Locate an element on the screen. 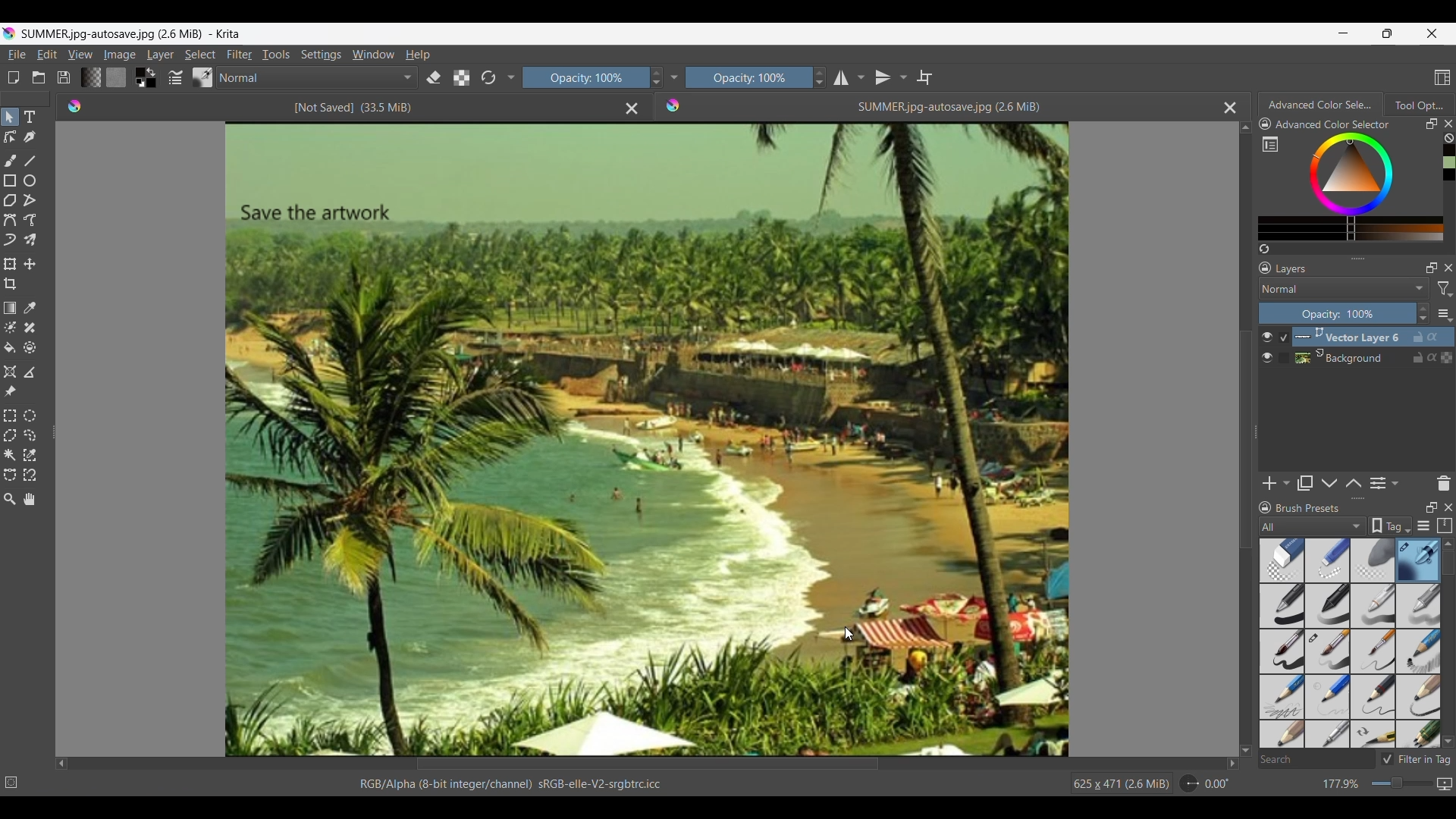  Increase/Decrease opacity is located at coordinates (1423, 314).